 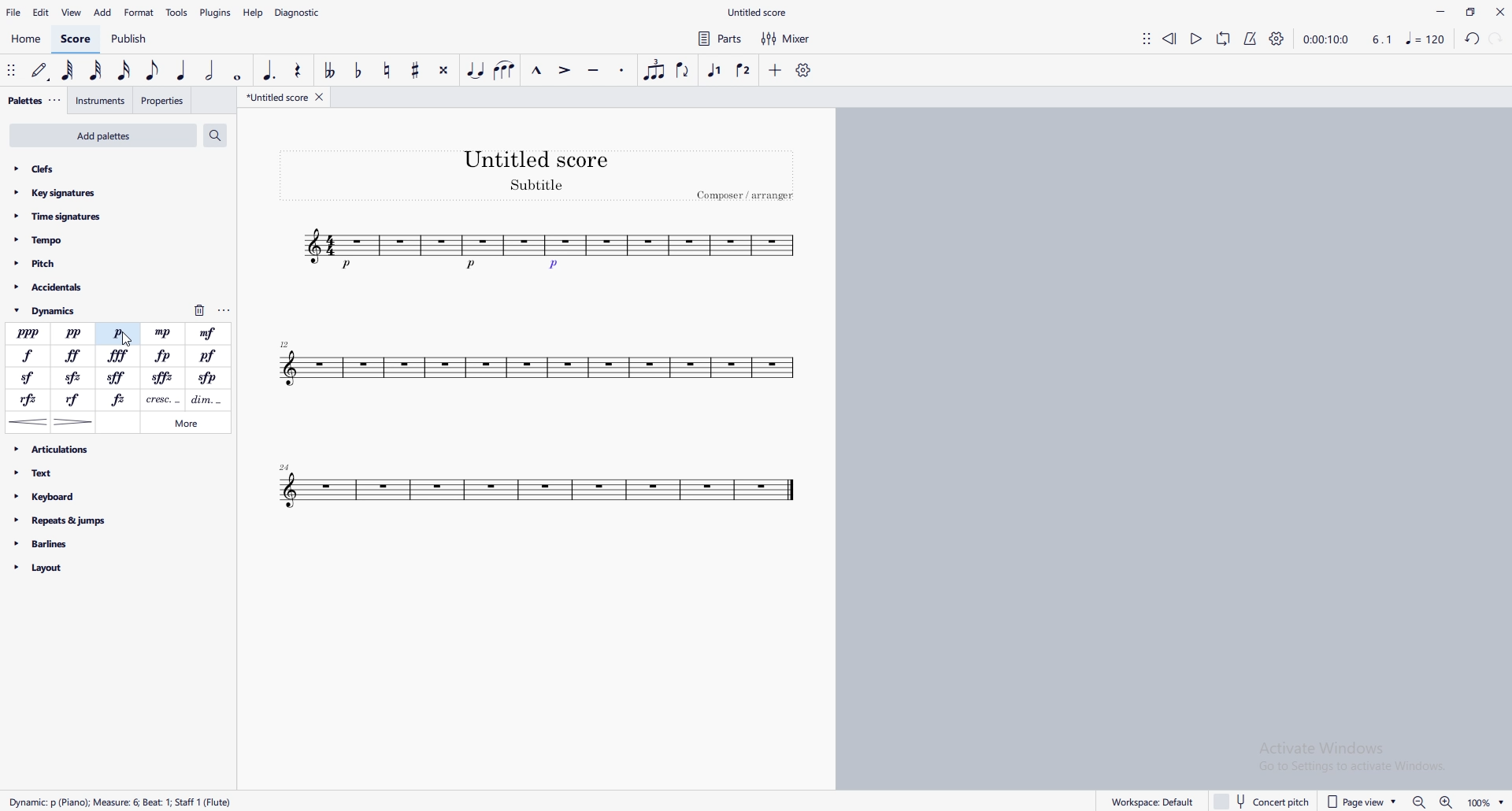 I want to click on rinforzando, so click(x=28, y=400).